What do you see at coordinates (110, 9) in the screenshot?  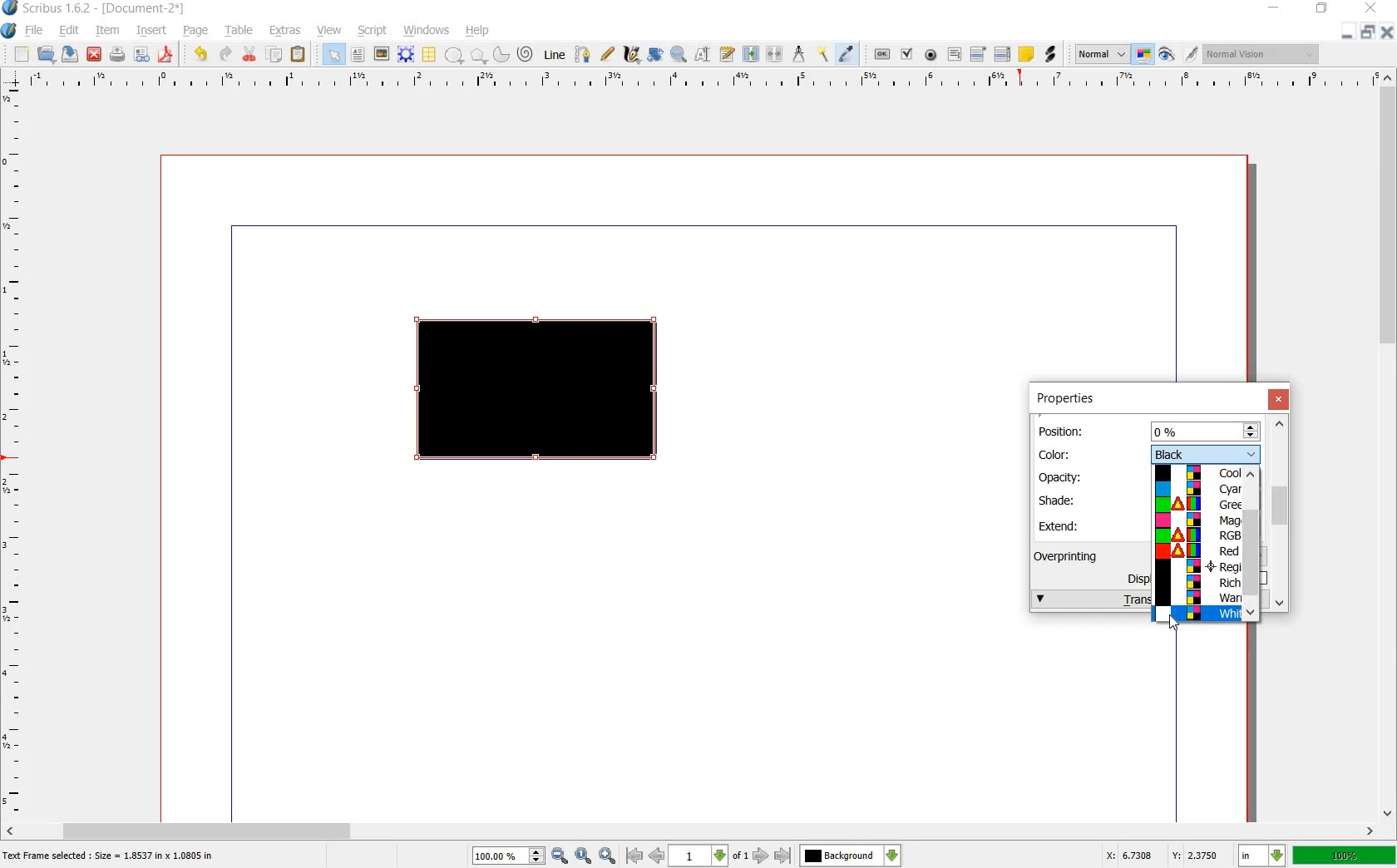 I see `scribus 1.6.2 - [document-2*]` at bounding box center [110, 9].